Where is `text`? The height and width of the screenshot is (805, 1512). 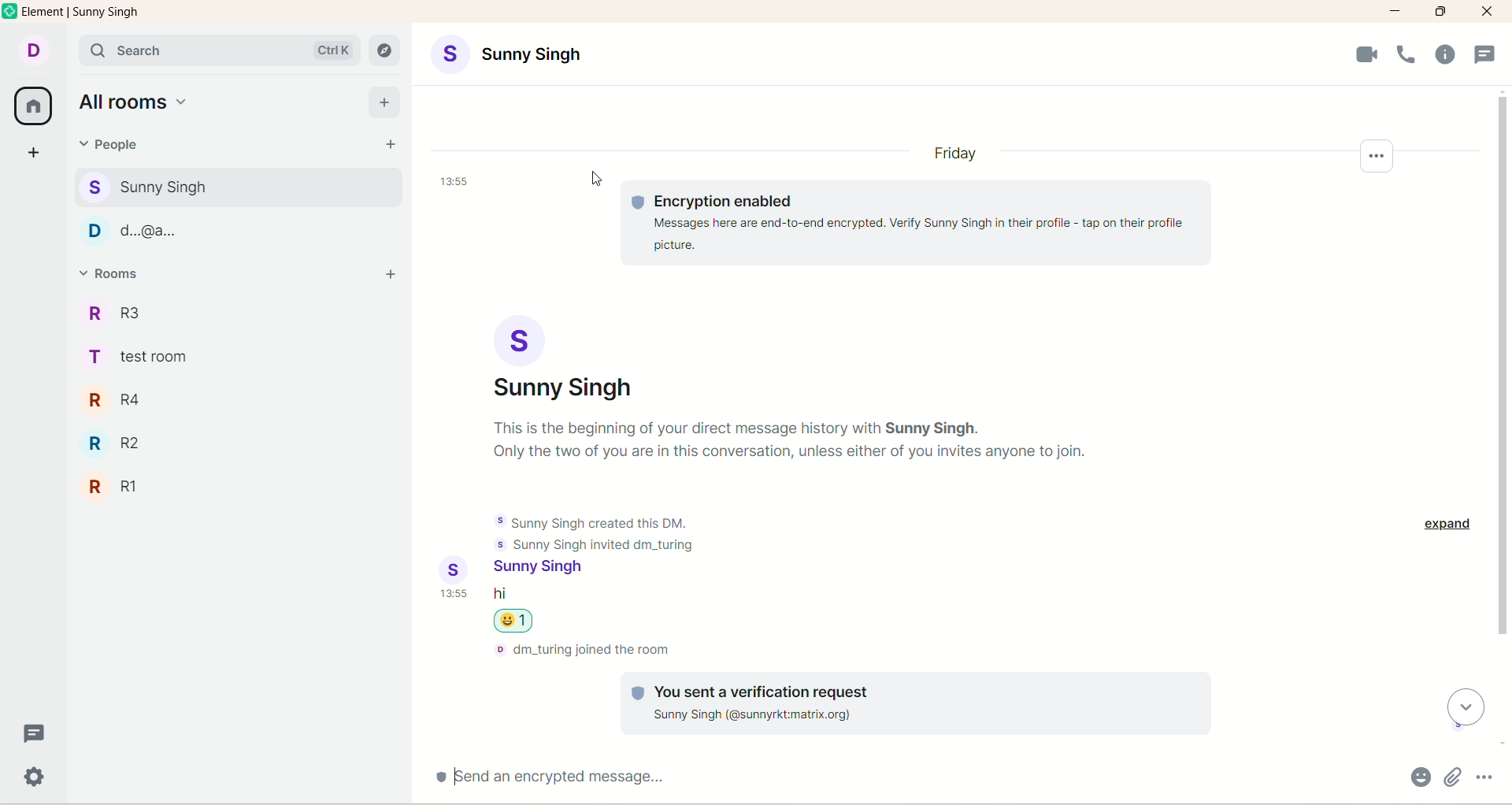
text is located at coordinates (583, 650).